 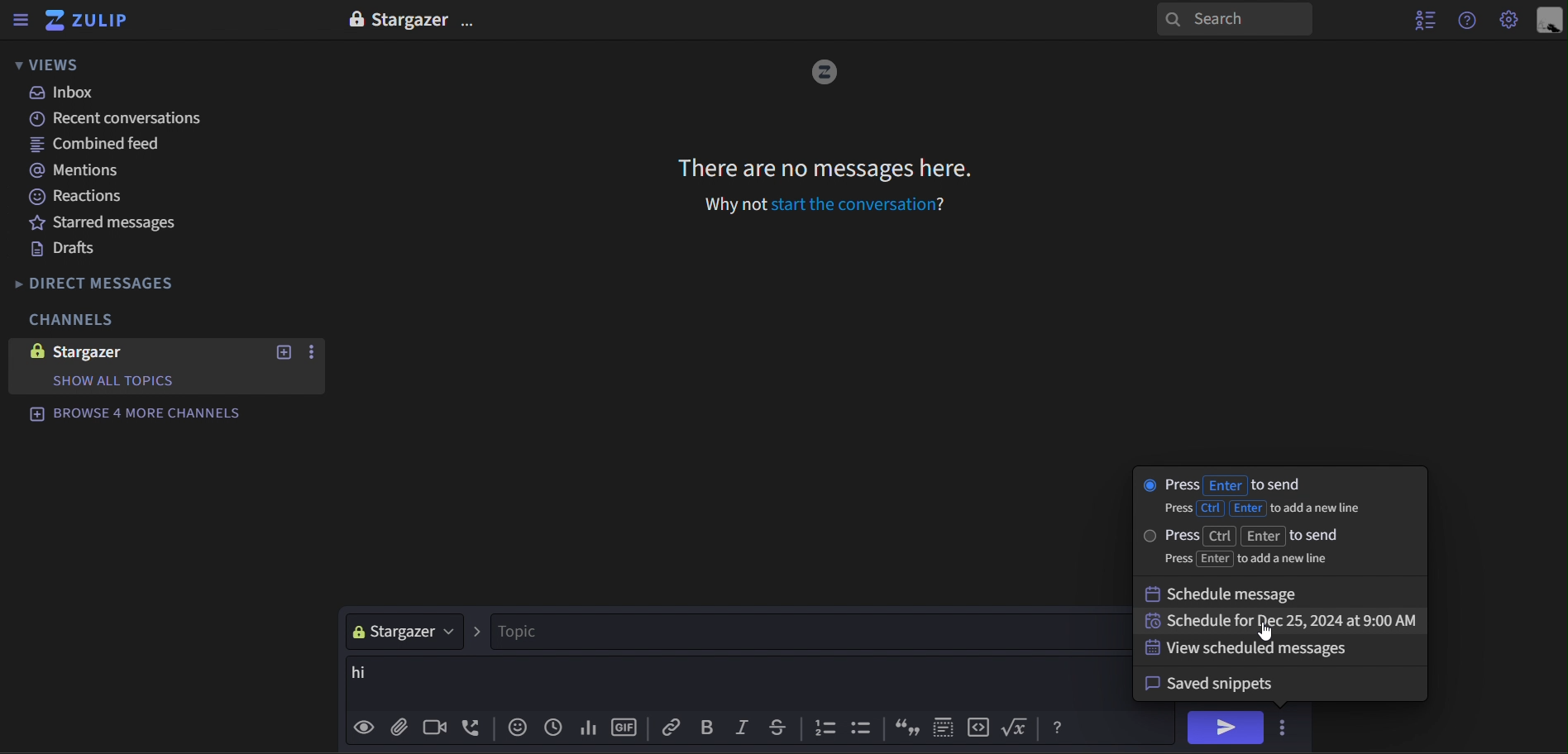 What do you see at coordinates (1469, 21) in the screenshot?
I see `get help` at bounding box center [1469, 21].